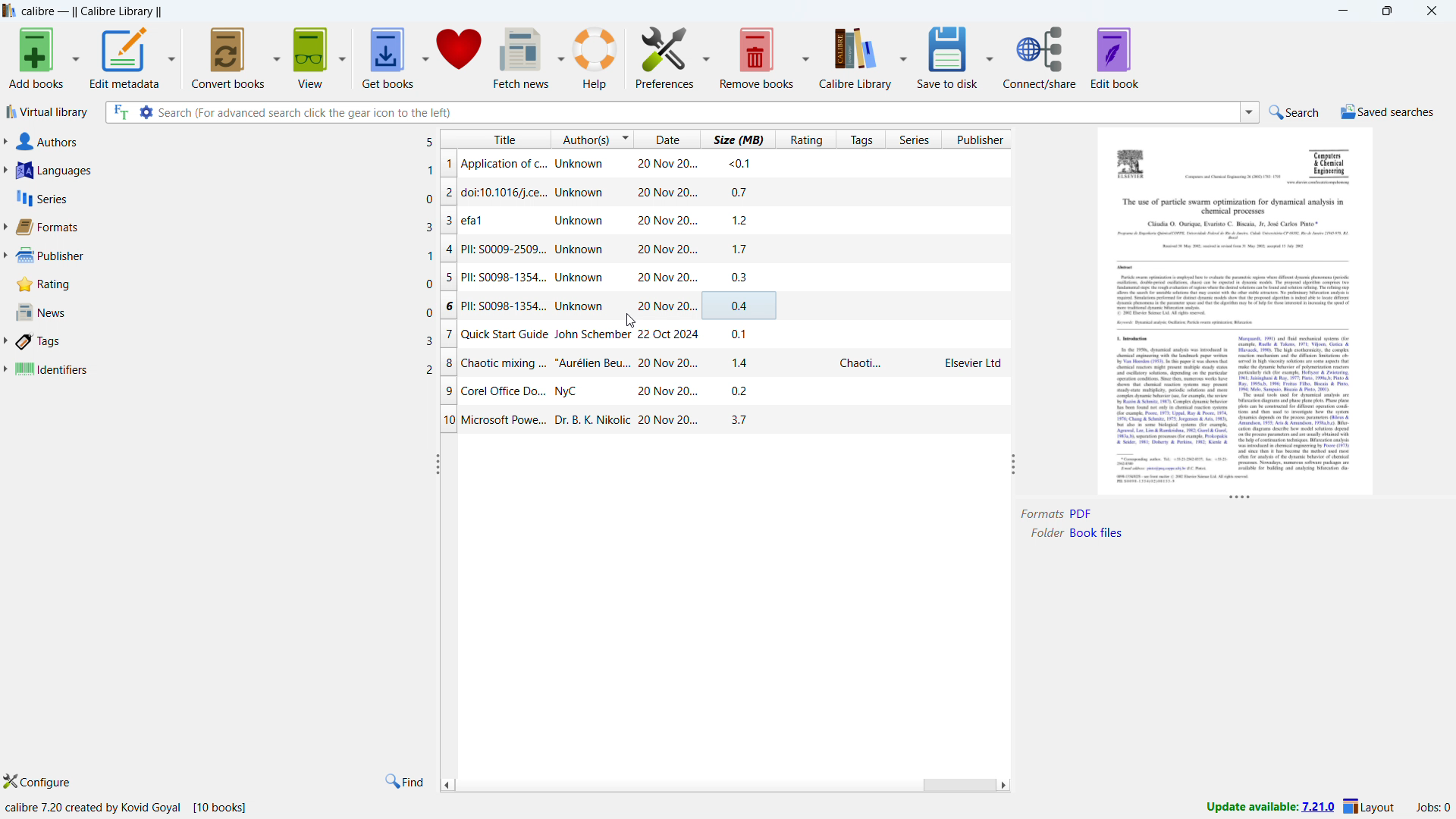 The image size is (1456, 819). Describe the element at coordinates (1235, 310) in the screenshot. I see `double click to open book details window` at that location.